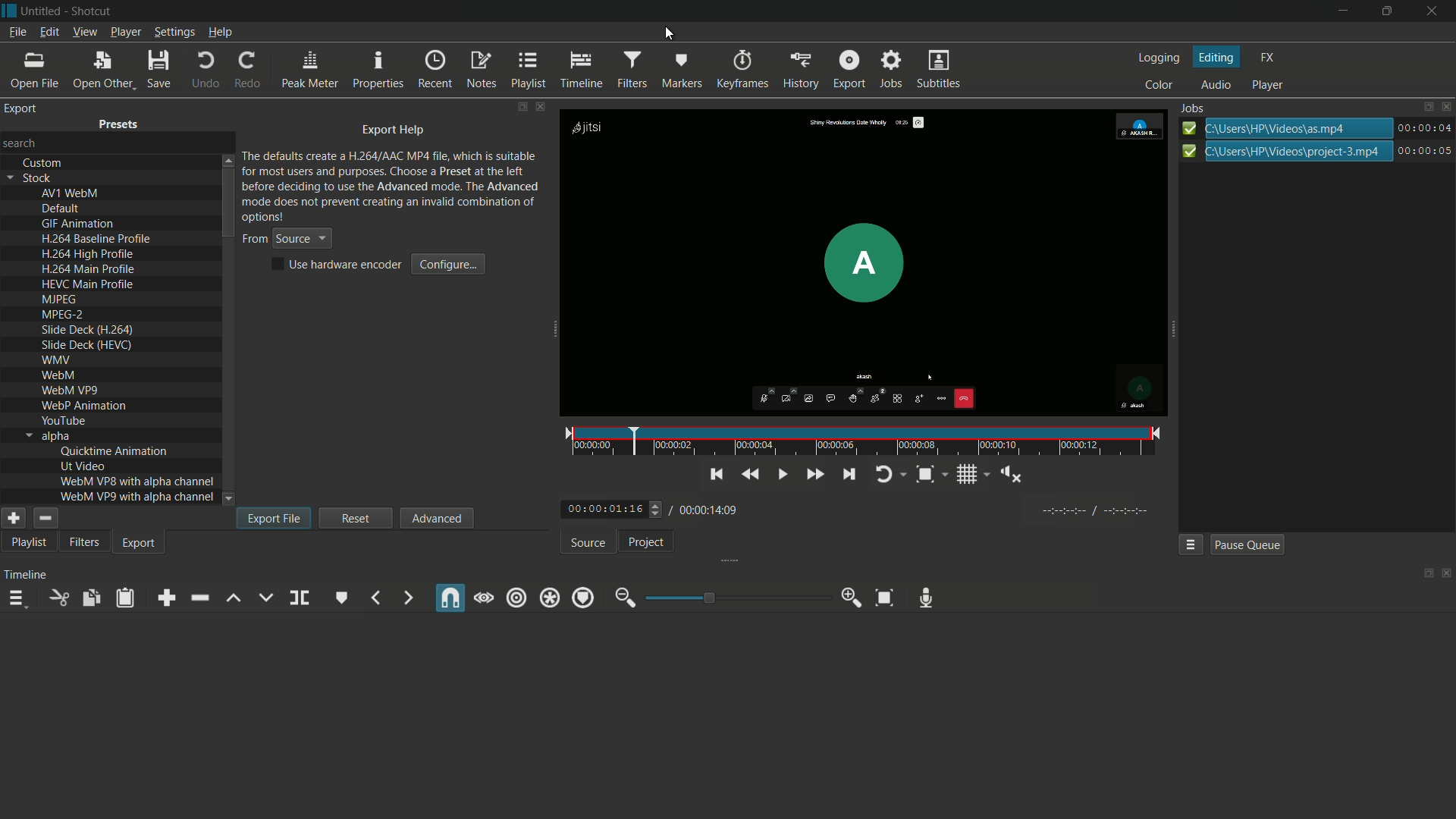 Image resolution: width=1456 pixels, height=819 pixels. I want to click on next marker, so click(406, 598).